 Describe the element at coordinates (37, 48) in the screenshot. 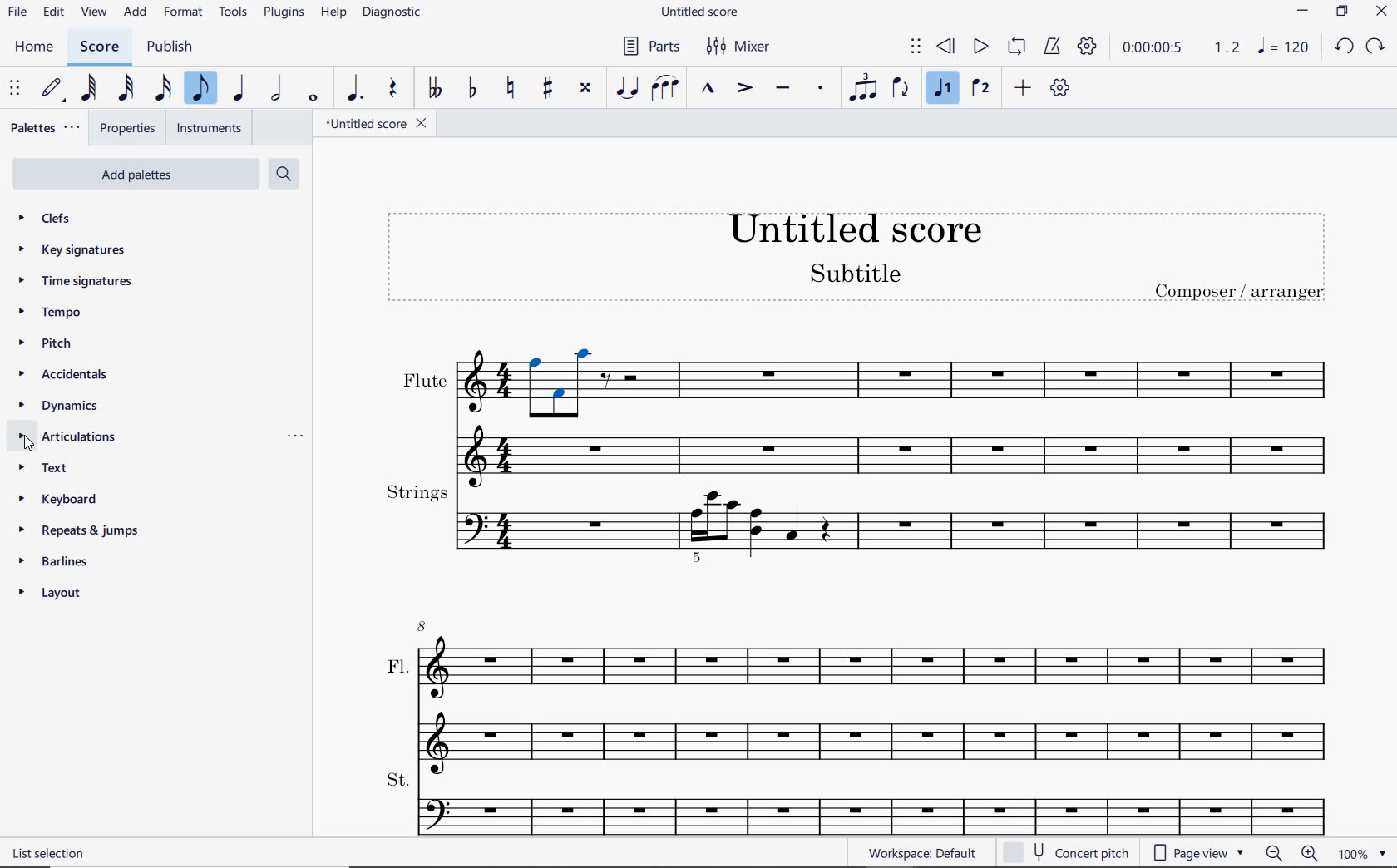

I see `home` at that location.